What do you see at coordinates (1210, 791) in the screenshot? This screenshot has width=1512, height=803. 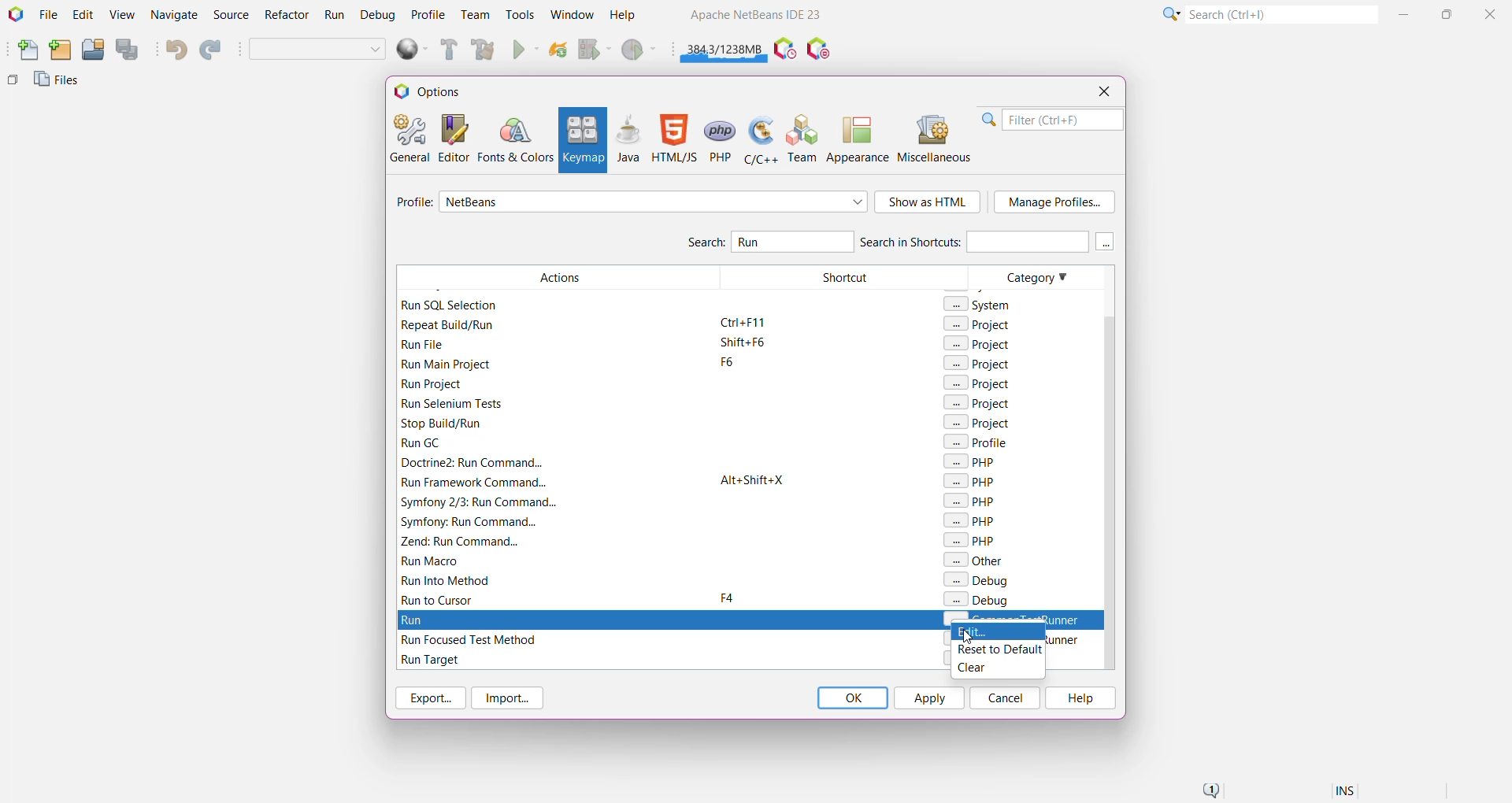 I see `Notifications` at bounding box center [1210, 791].